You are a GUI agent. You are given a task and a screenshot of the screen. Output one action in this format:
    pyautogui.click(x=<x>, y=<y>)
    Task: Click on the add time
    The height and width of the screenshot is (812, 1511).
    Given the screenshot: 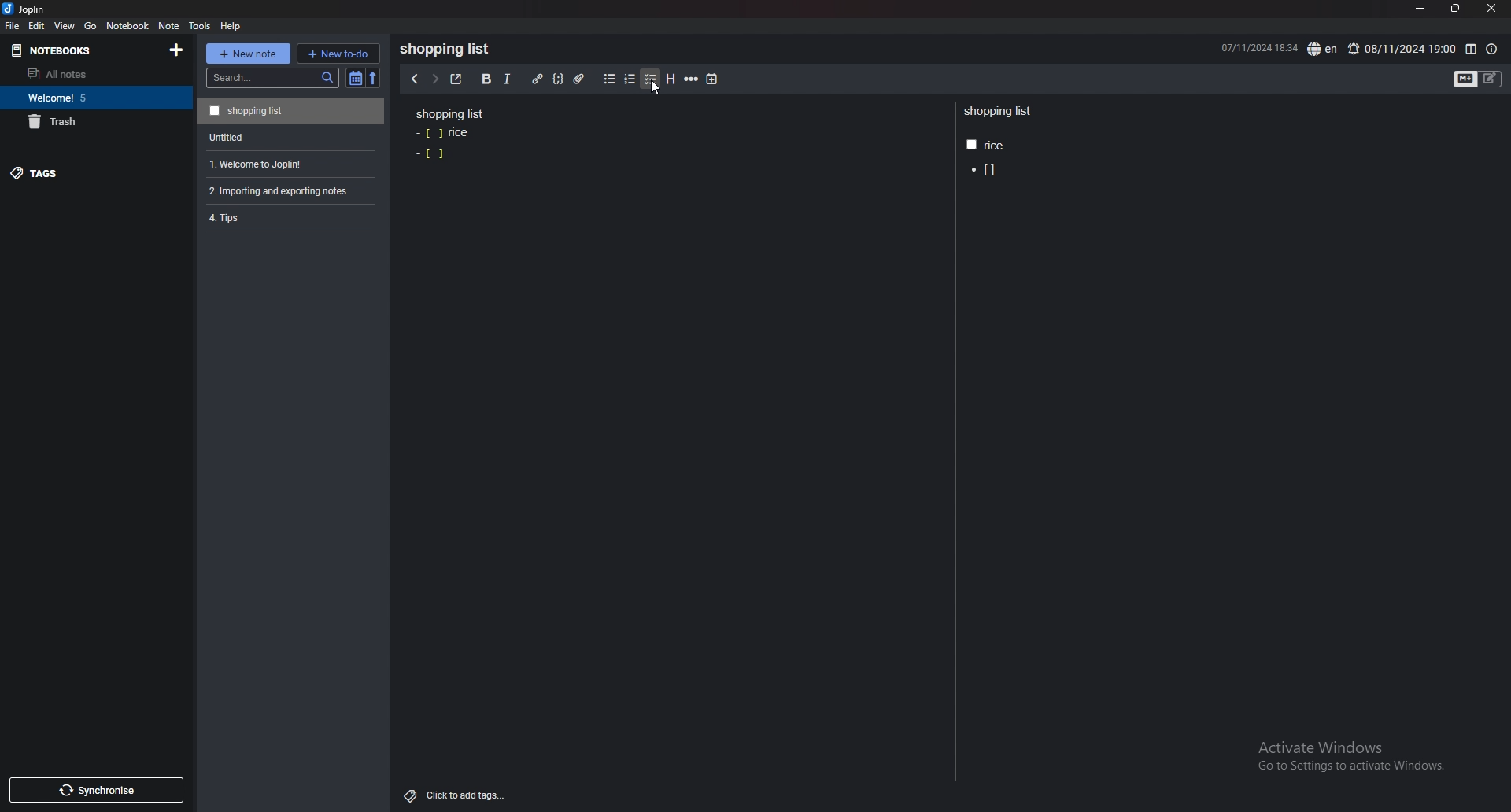 What is the action you would take?
    pyautogui.click(x=713, y=79)
    